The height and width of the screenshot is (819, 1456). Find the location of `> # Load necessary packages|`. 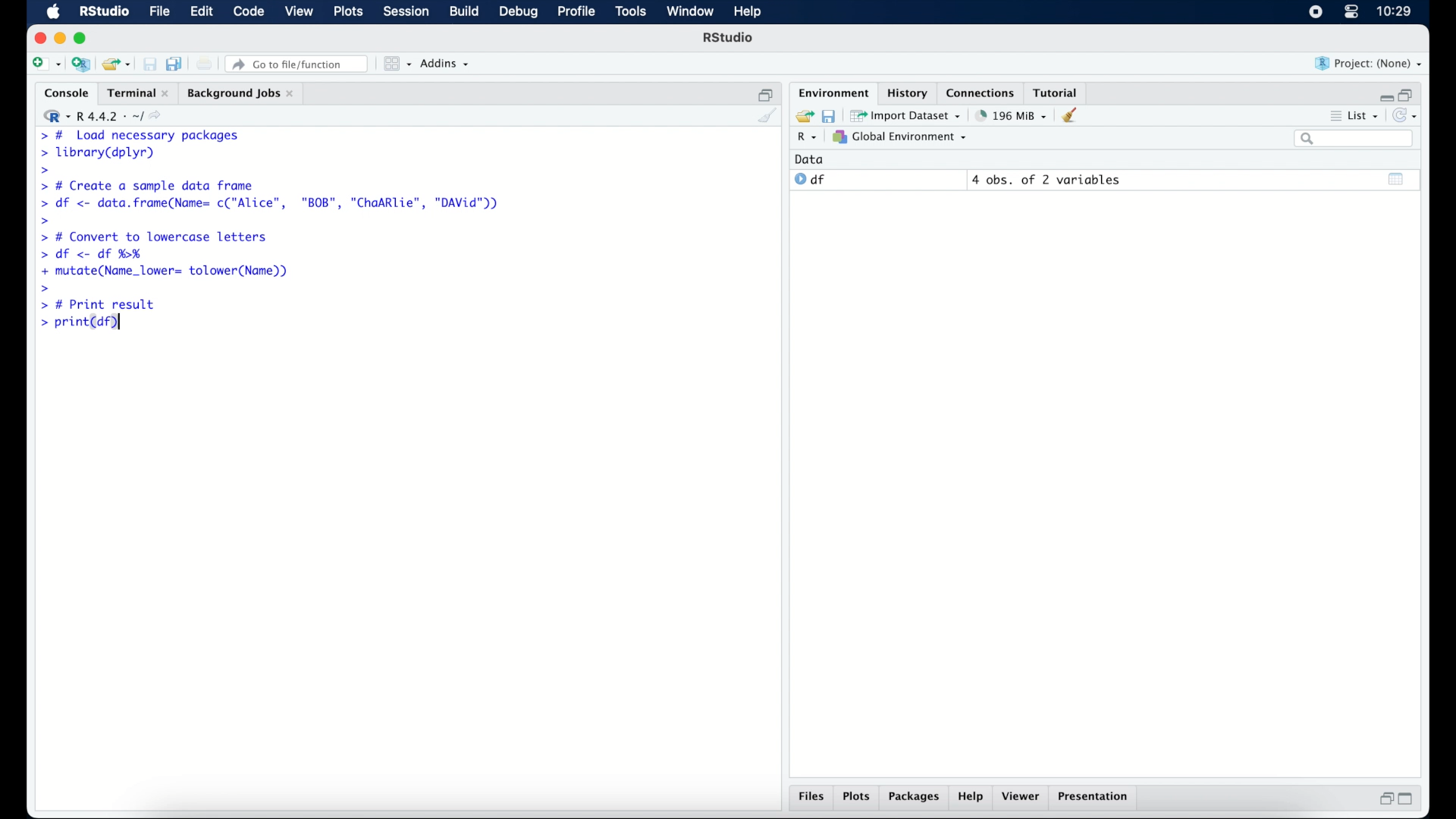

> # Load necessary packages| is located at coordinates (138, 134).